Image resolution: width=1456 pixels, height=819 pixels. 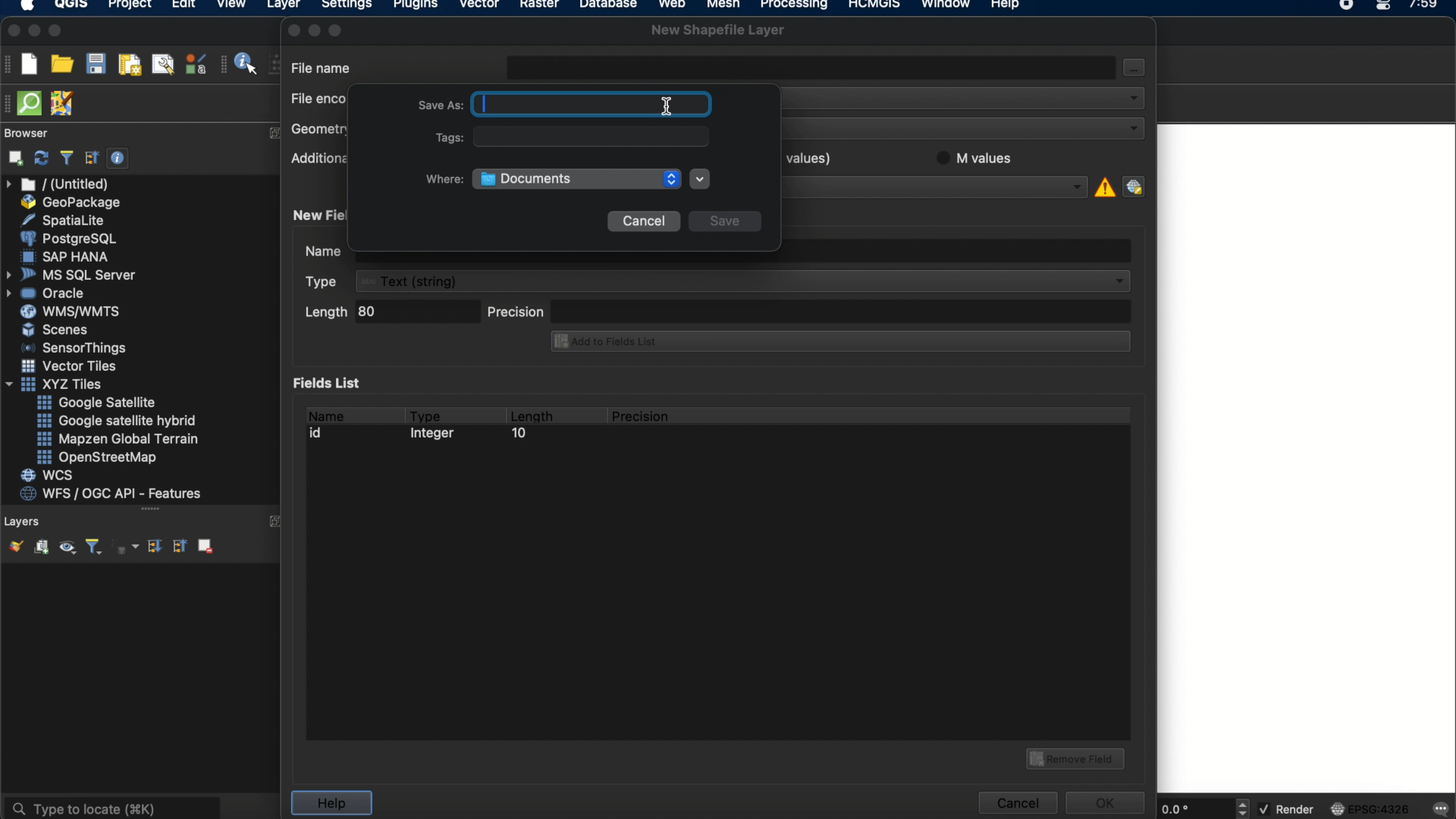 I want to click on database, so click(x=607, y=6).